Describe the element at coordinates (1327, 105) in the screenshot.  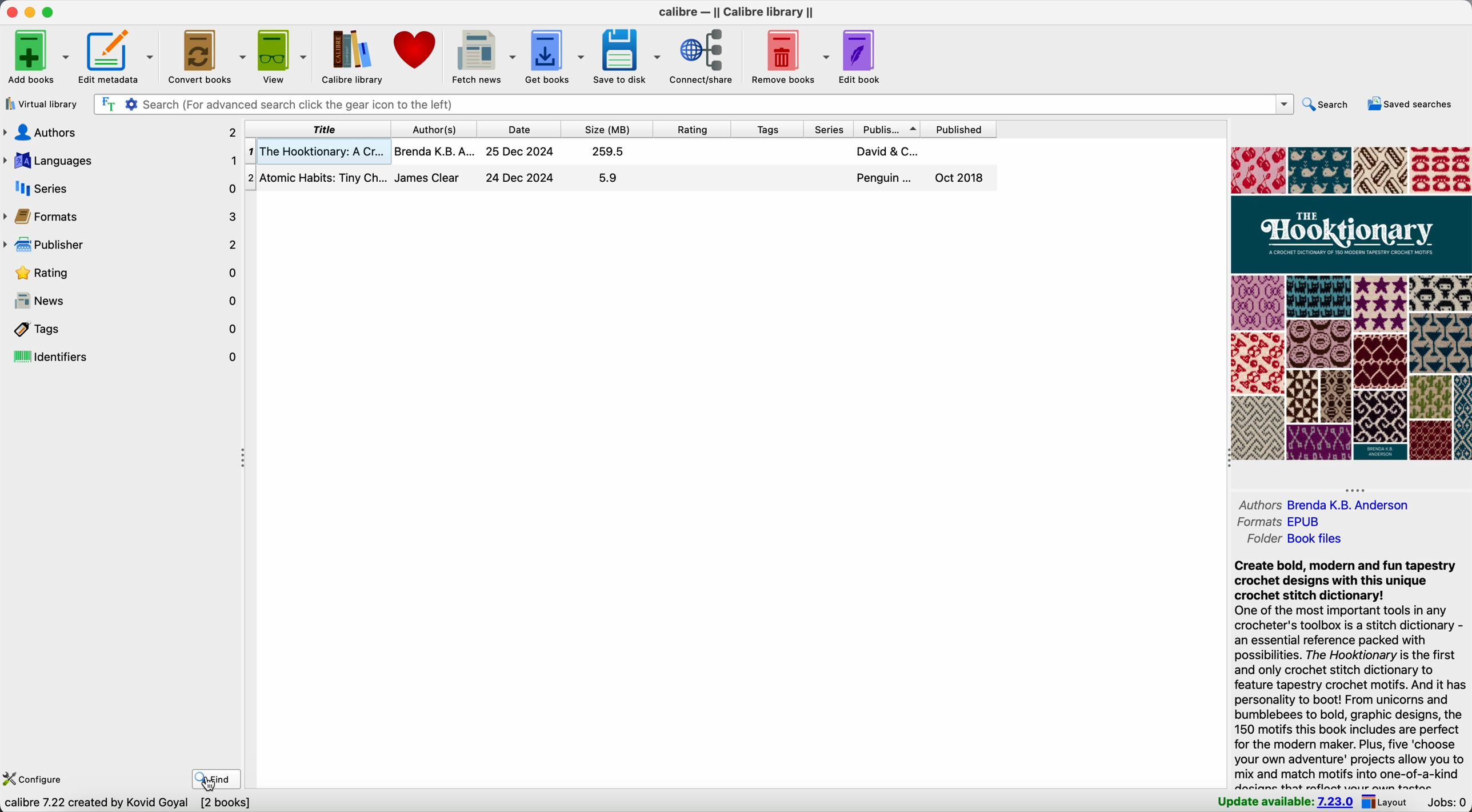
I see `search` at that location.